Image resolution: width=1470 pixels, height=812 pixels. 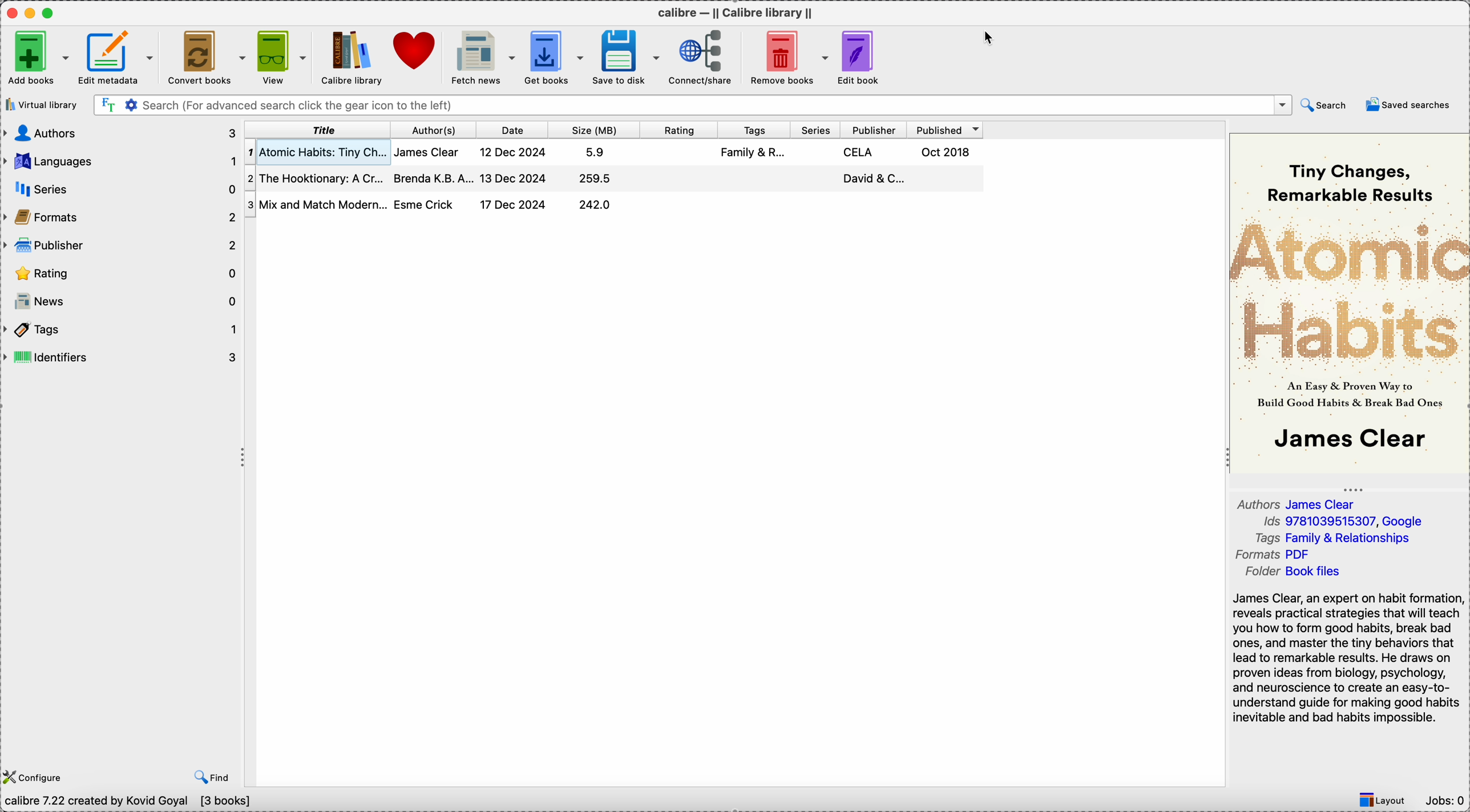 What do you see at coordinates (1343, 523) in the screenshot?
I see `Ids 9781039515307, Google` at bounding box center [1343, 523].